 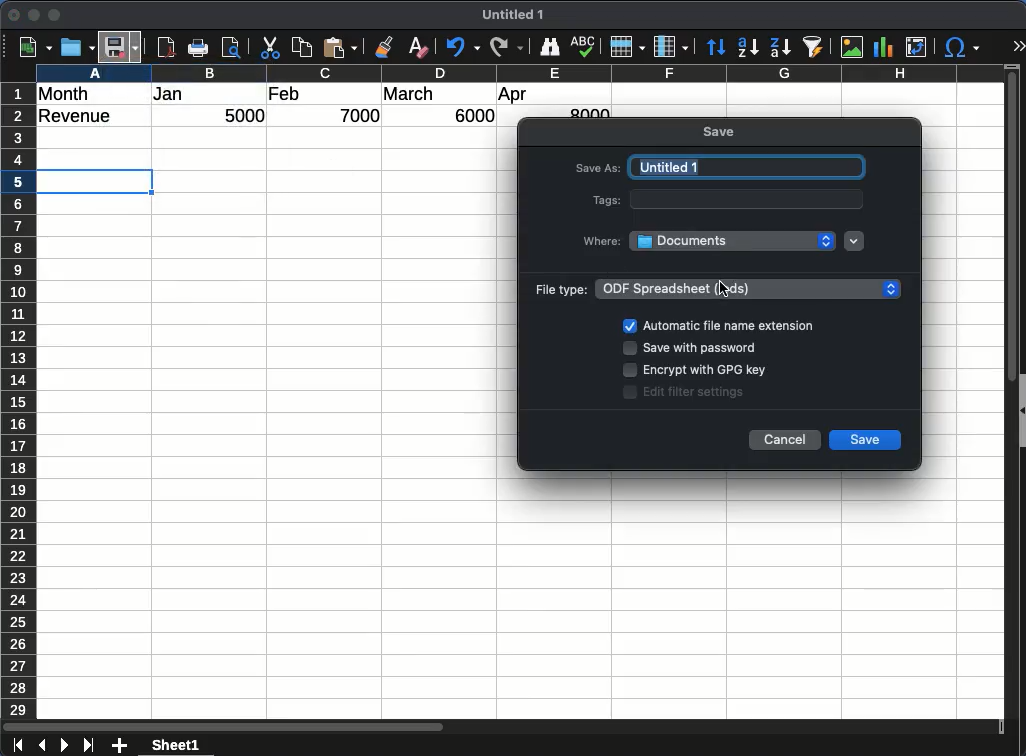 I want to click on row, so click(x=17, y=400).